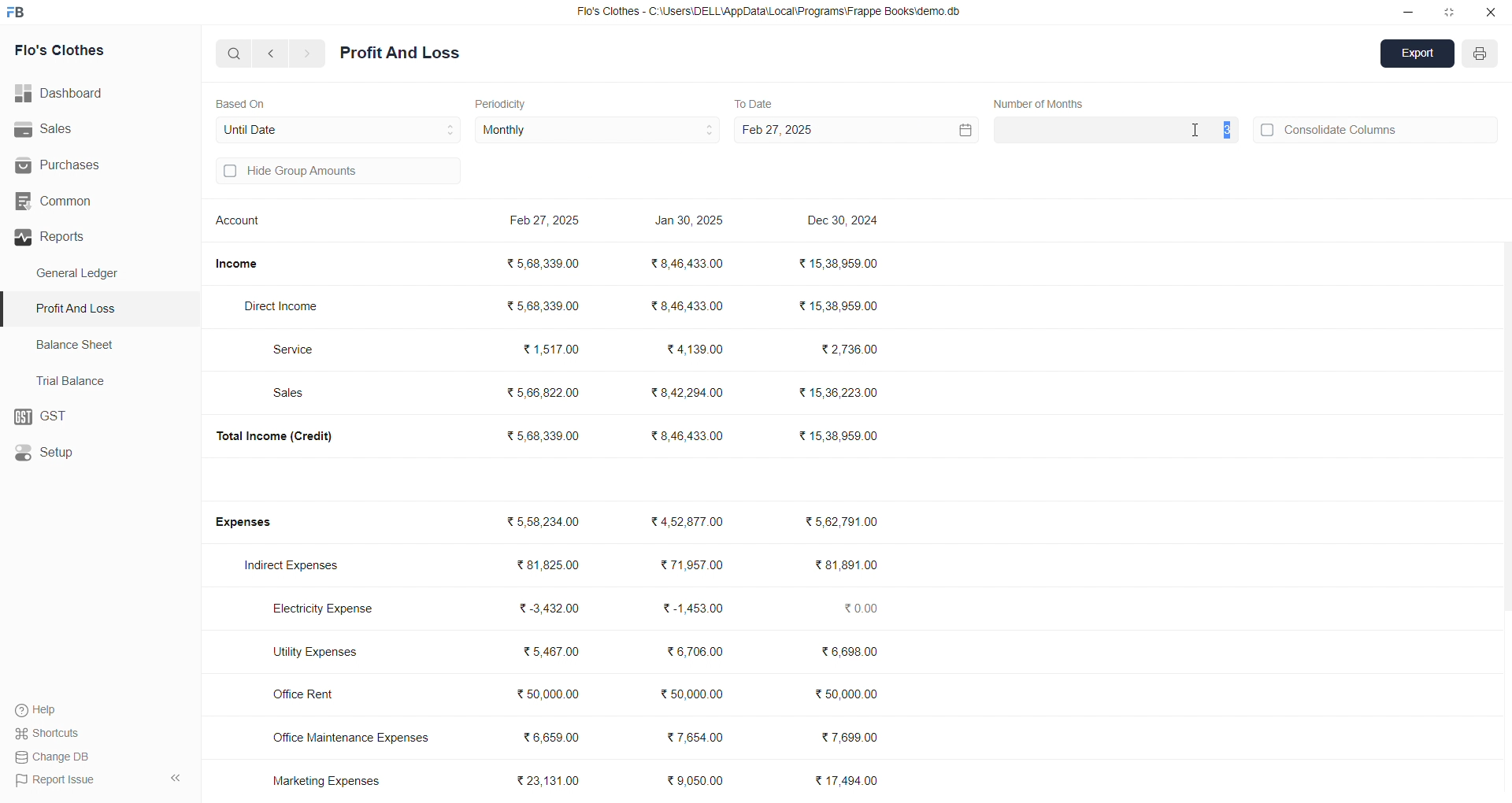 The width and height of the screenshot is (1512, 803). Describe the element at coordinates (289, 307) in the screenshot. I see `Direct Income` at that location.